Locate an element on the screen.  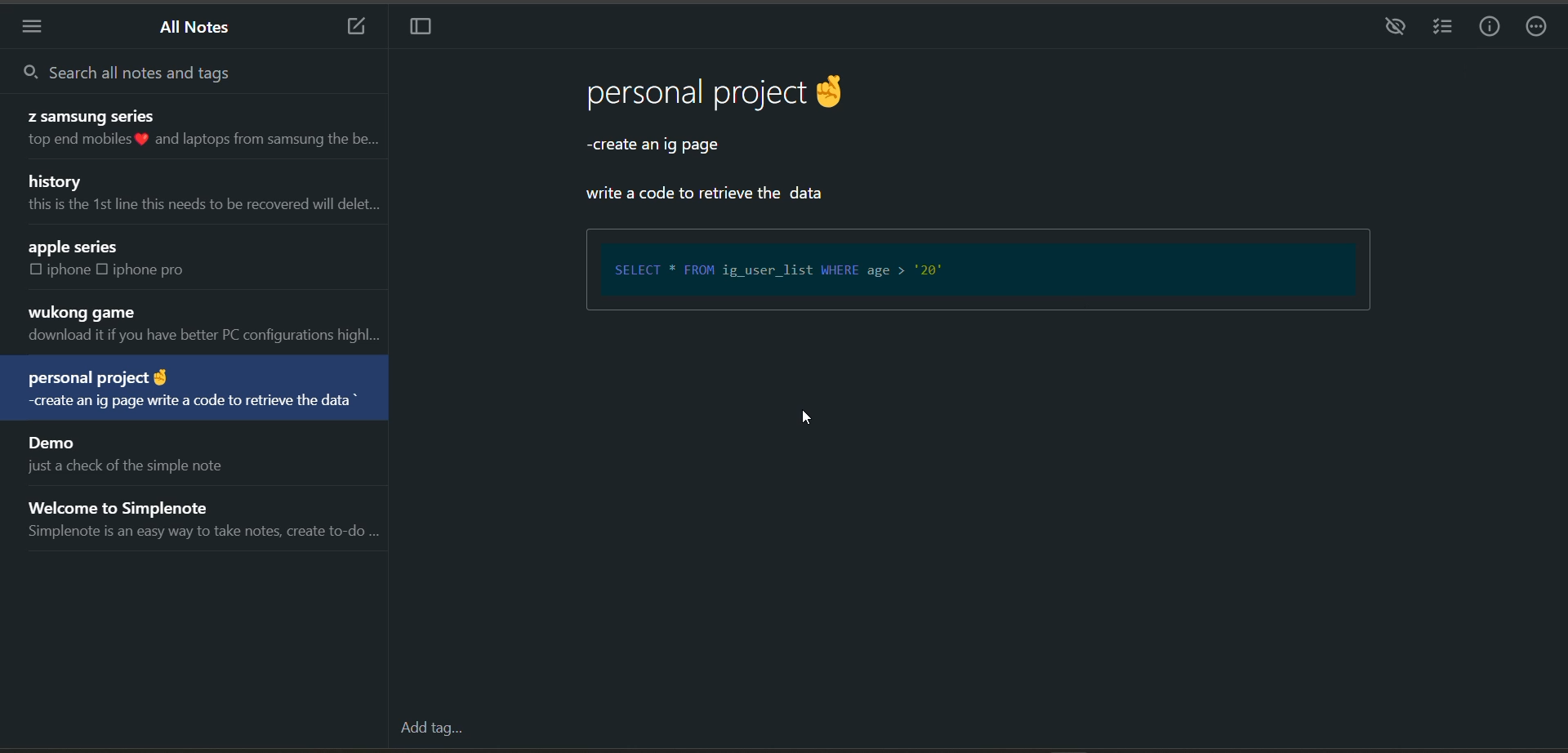
note title  and preview is located at coordinates (194, 390).